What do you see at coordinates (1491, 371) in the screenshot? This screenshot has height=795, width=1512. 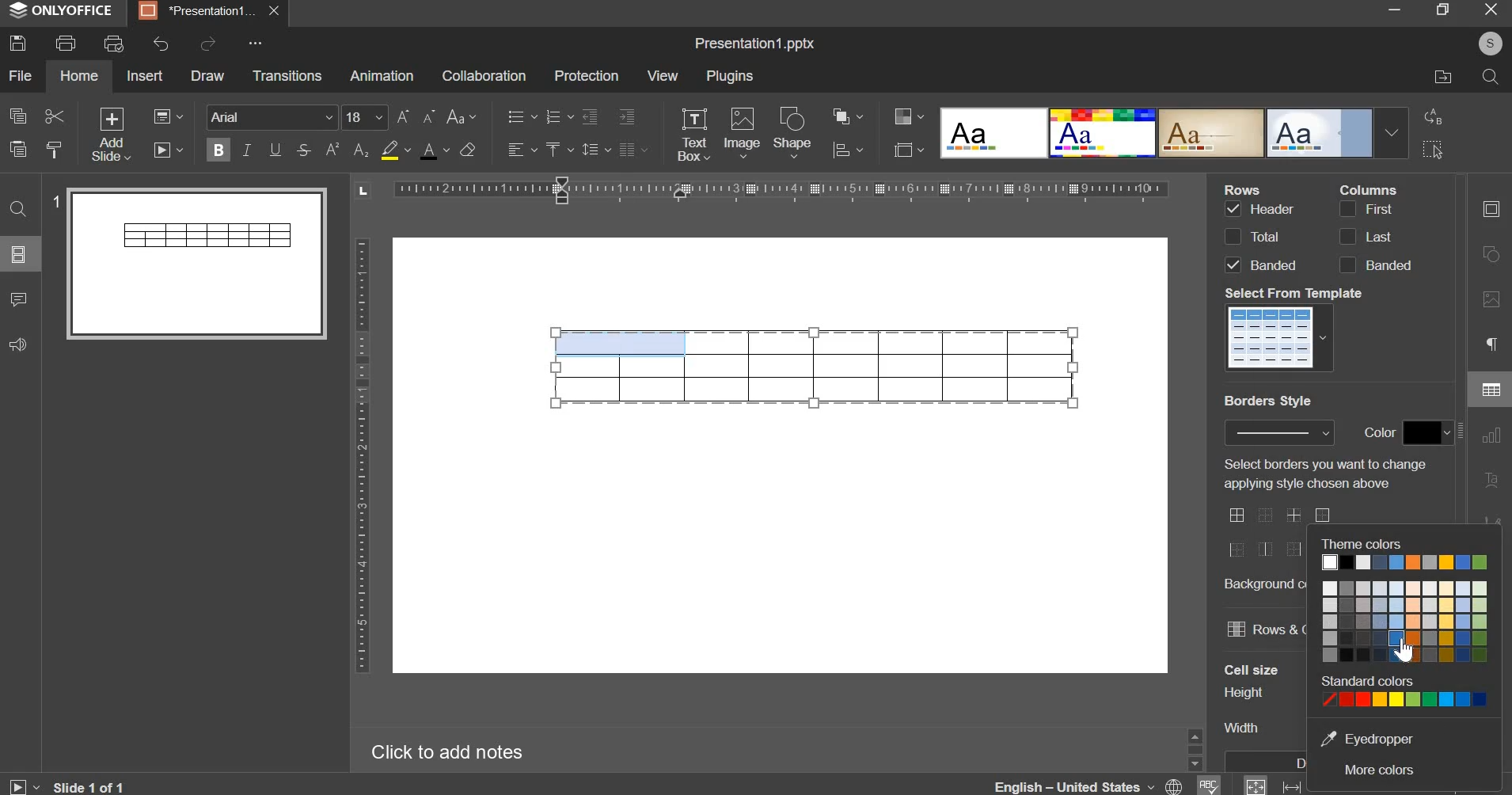 I see `right side menu` at bounding box center [1491, 371].